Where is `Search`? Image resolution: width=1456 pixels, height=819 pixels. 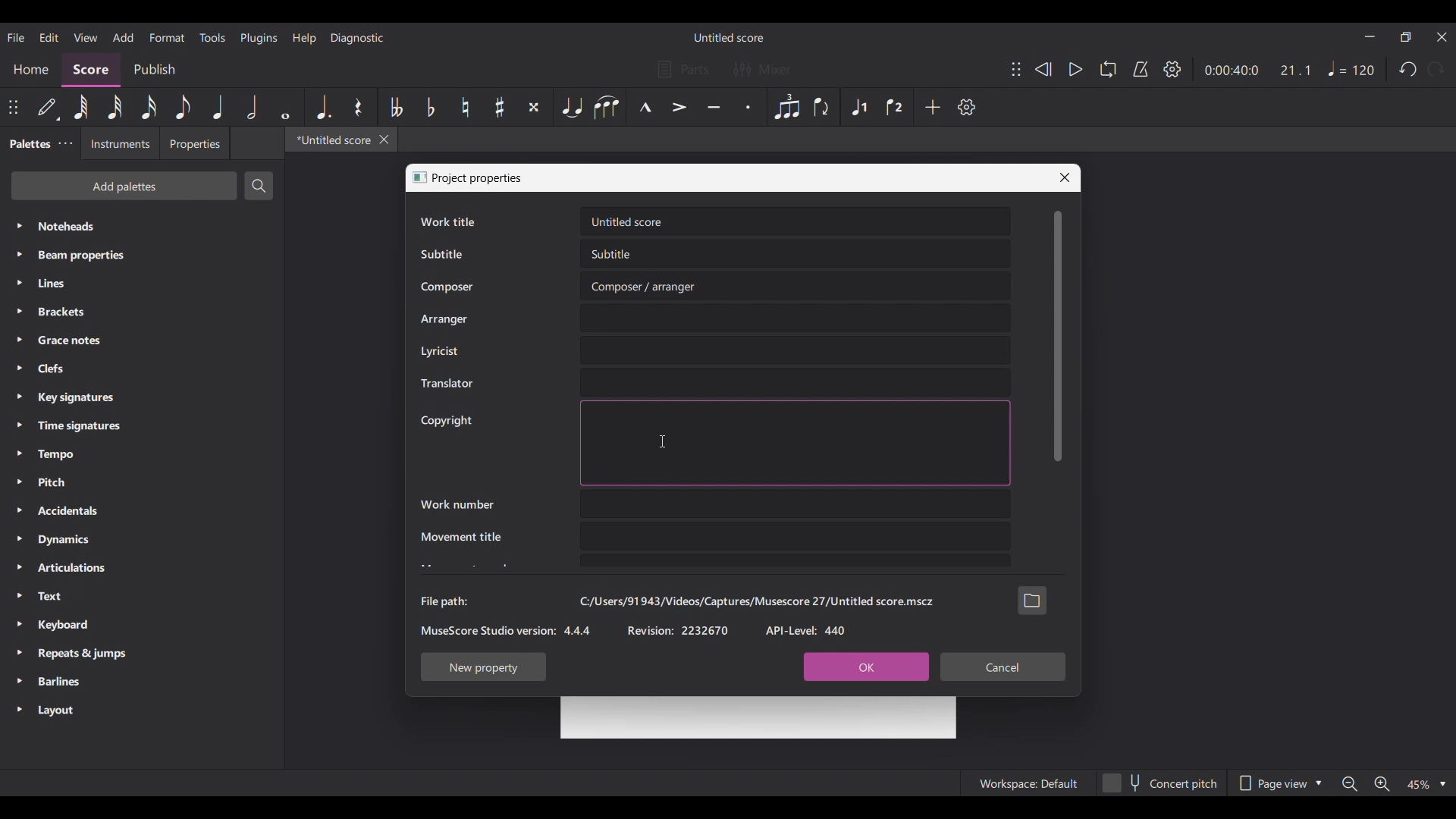
Search is located at coordinates (259, 186).